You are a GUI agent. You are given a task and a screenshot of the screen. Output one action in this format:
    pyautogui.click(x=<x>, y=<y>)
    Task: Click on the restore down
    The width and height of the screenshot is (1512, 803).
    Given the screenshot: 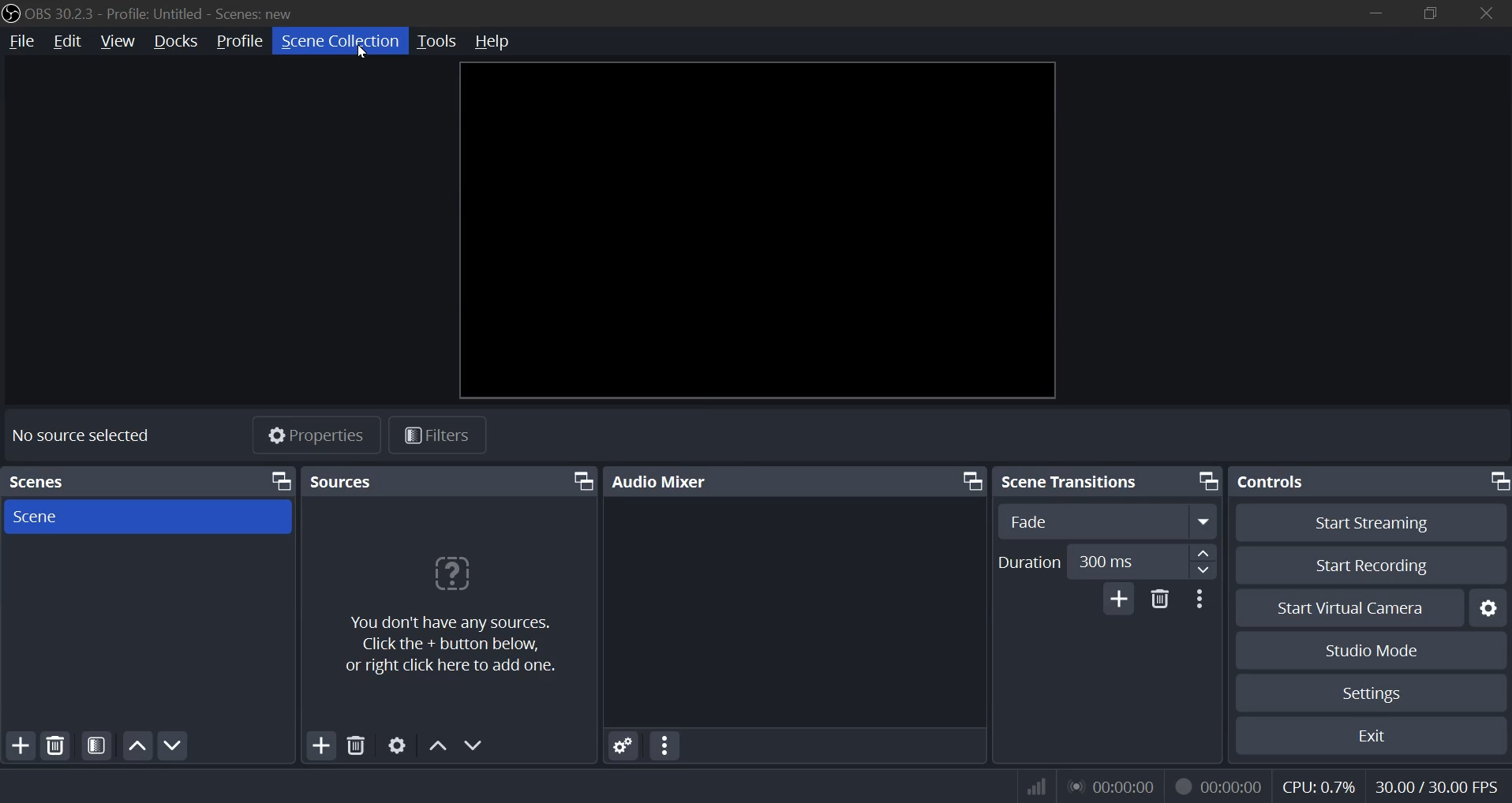 What is the action you would take?
    pyautogui.click(x=1432, y=14)
    